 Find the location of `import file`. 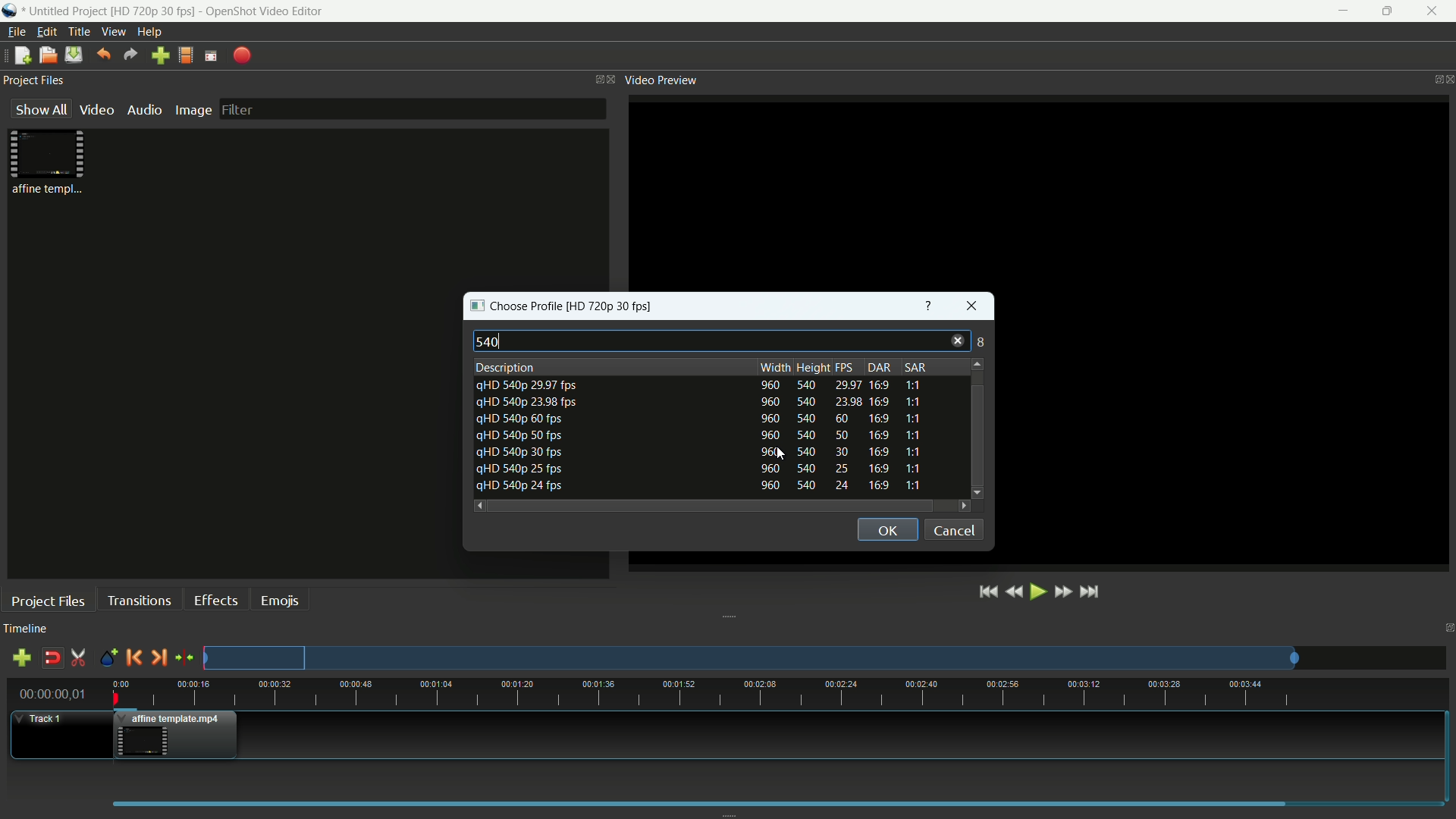

import file is located at coordinates (161, 55).